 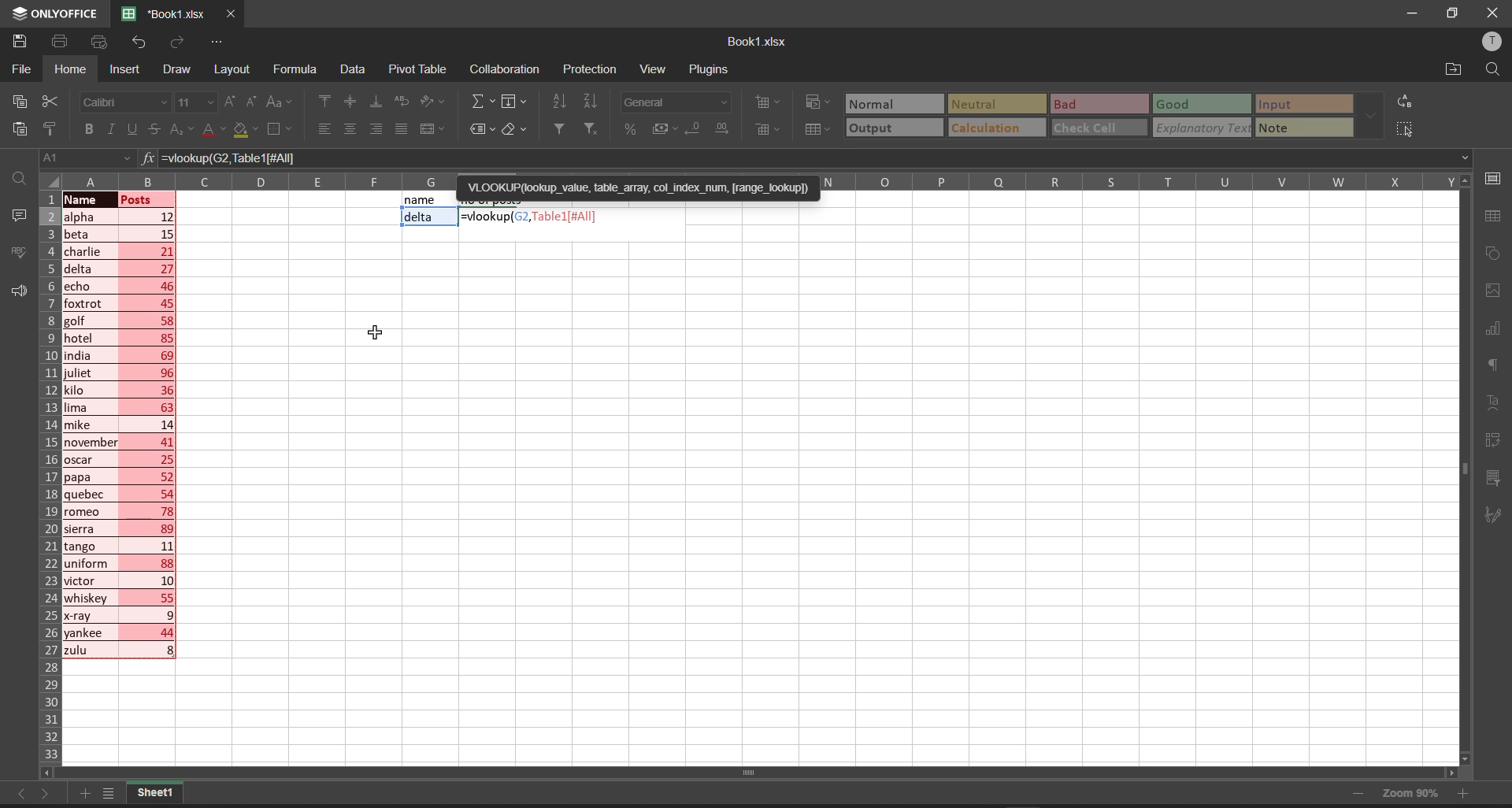 I want to click on list of sheets, so click(x=113, y=795).